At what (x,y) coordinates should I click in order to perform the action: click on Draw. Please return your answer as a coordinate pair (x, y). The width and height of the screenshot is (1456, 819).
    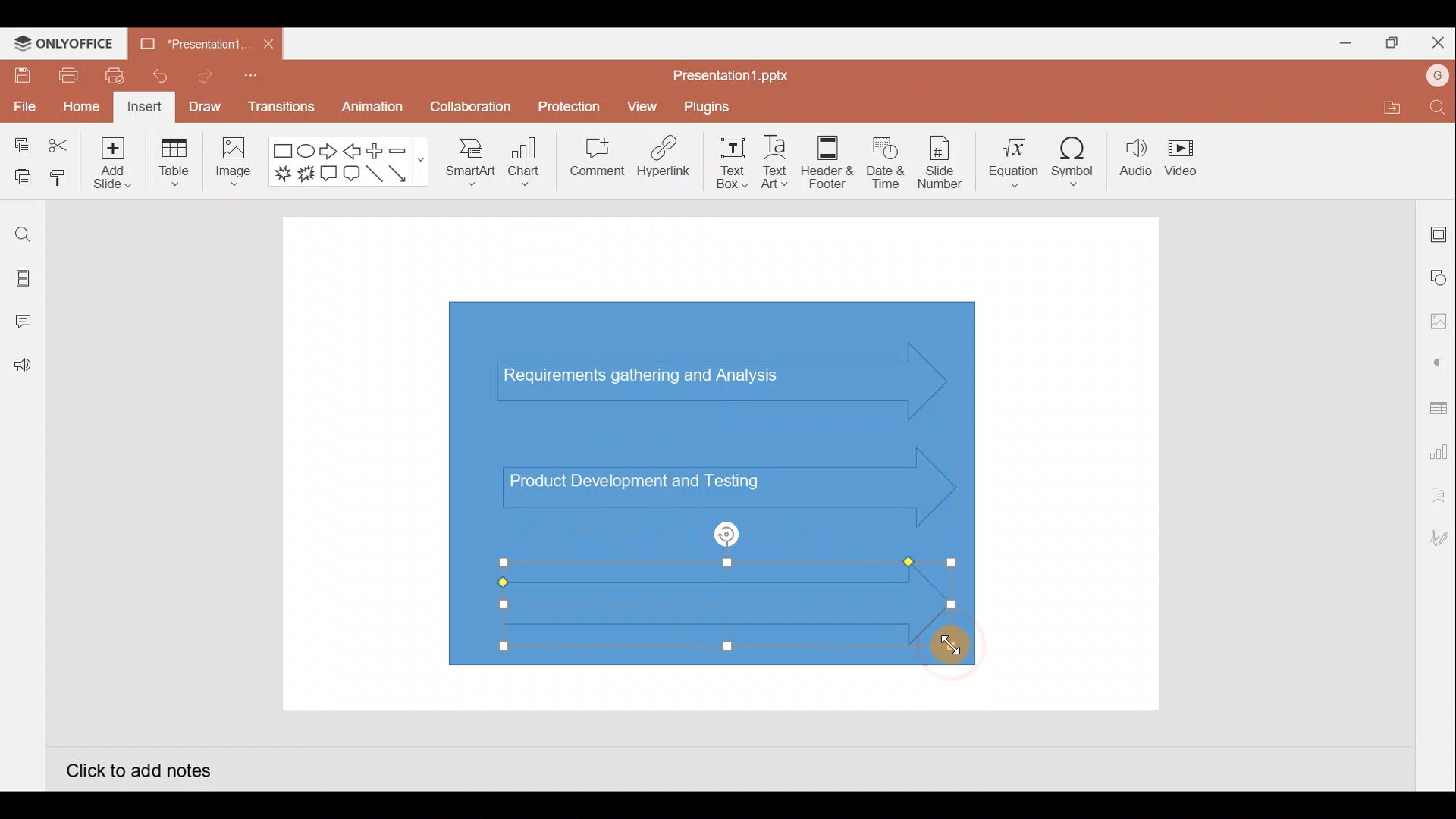
    Looking at the image, I should click on (204, 106).